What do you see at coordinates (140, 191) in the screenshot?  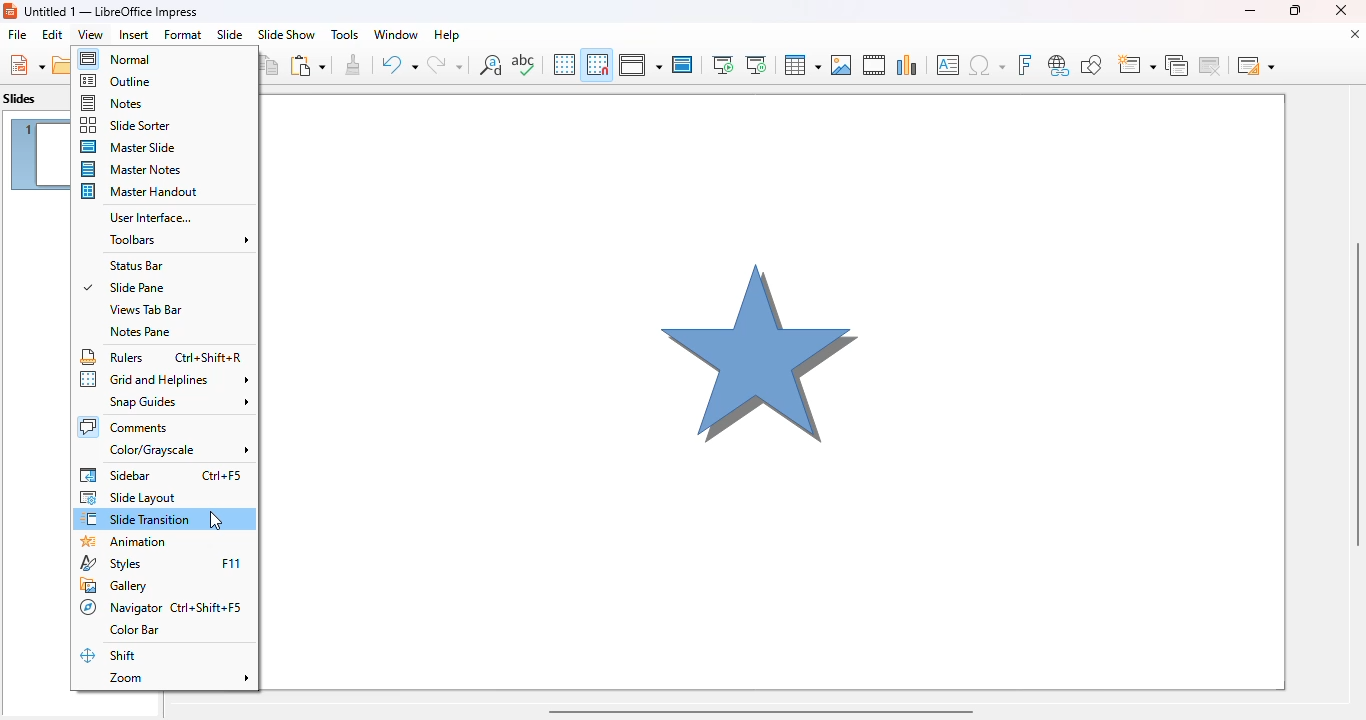 I see `master handout` at bounding box center [140, 191].